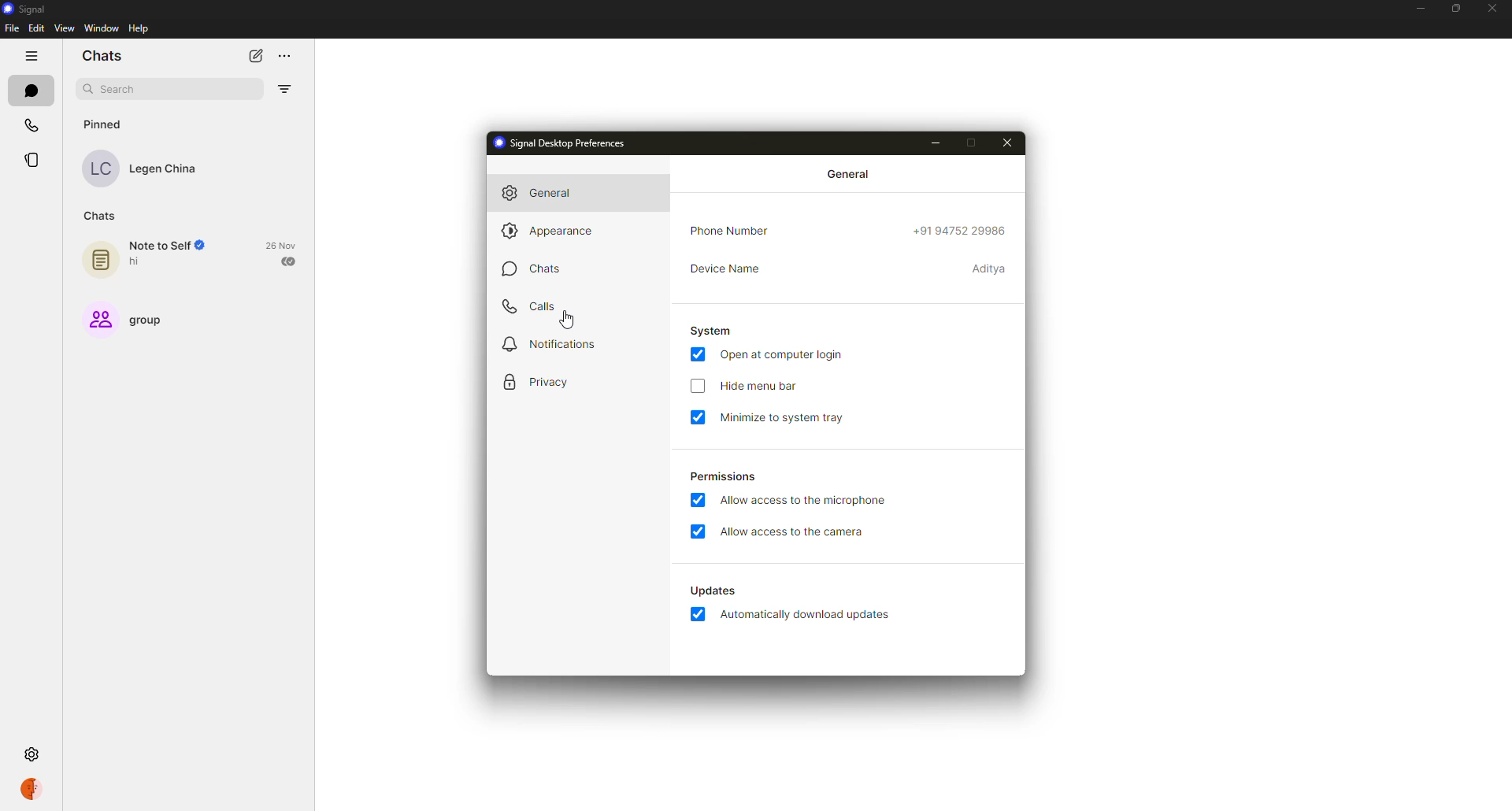 Image resolution: width=1512 pixels, height=811 pixels. What do you see at coordinates (698, 418) in the screenshot?
I see `enabled` at bounding box center [698, 418].